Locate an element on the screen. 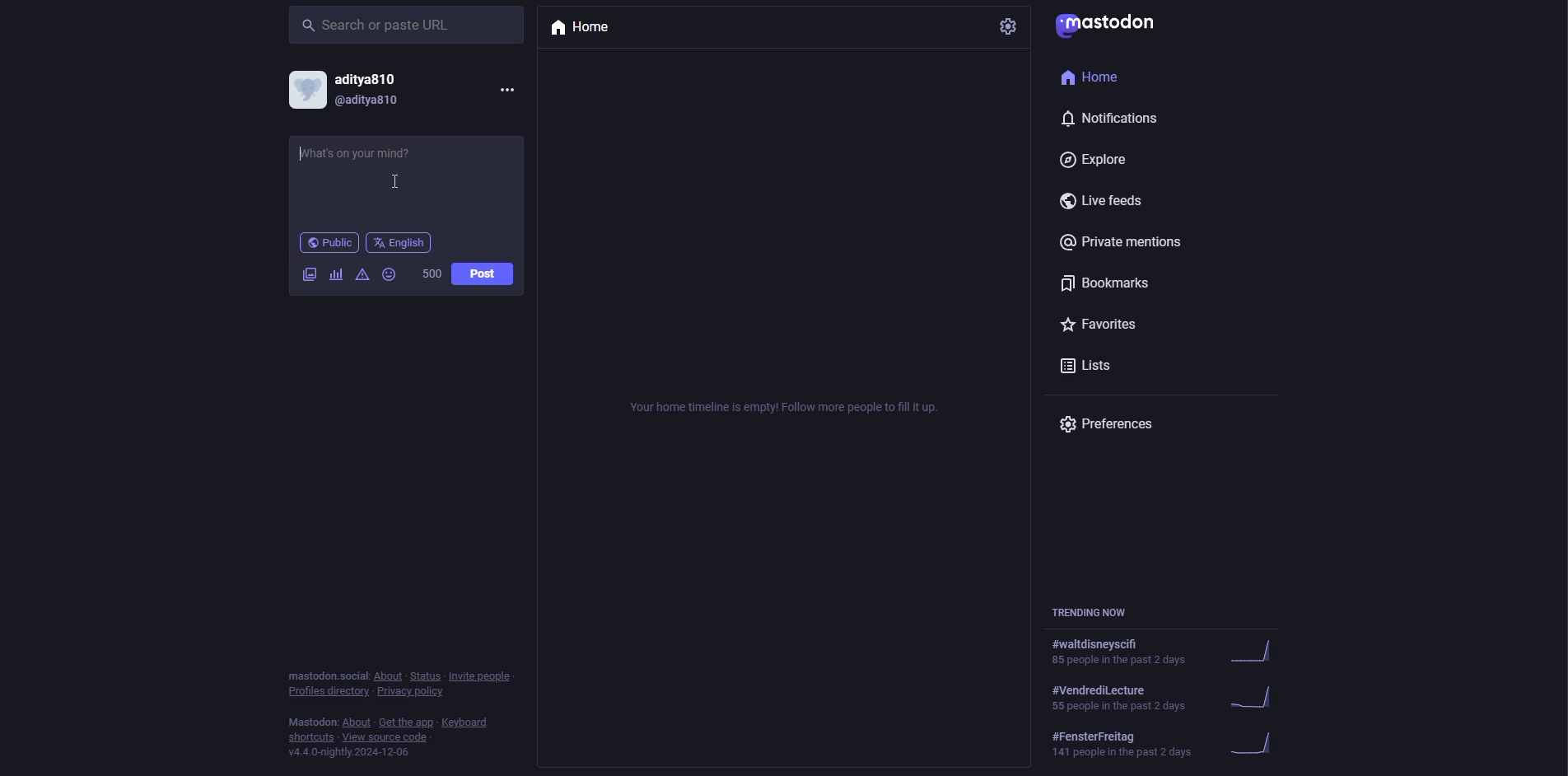 The image size is (1568, 776). settings is located at coordinates (1010, 26).